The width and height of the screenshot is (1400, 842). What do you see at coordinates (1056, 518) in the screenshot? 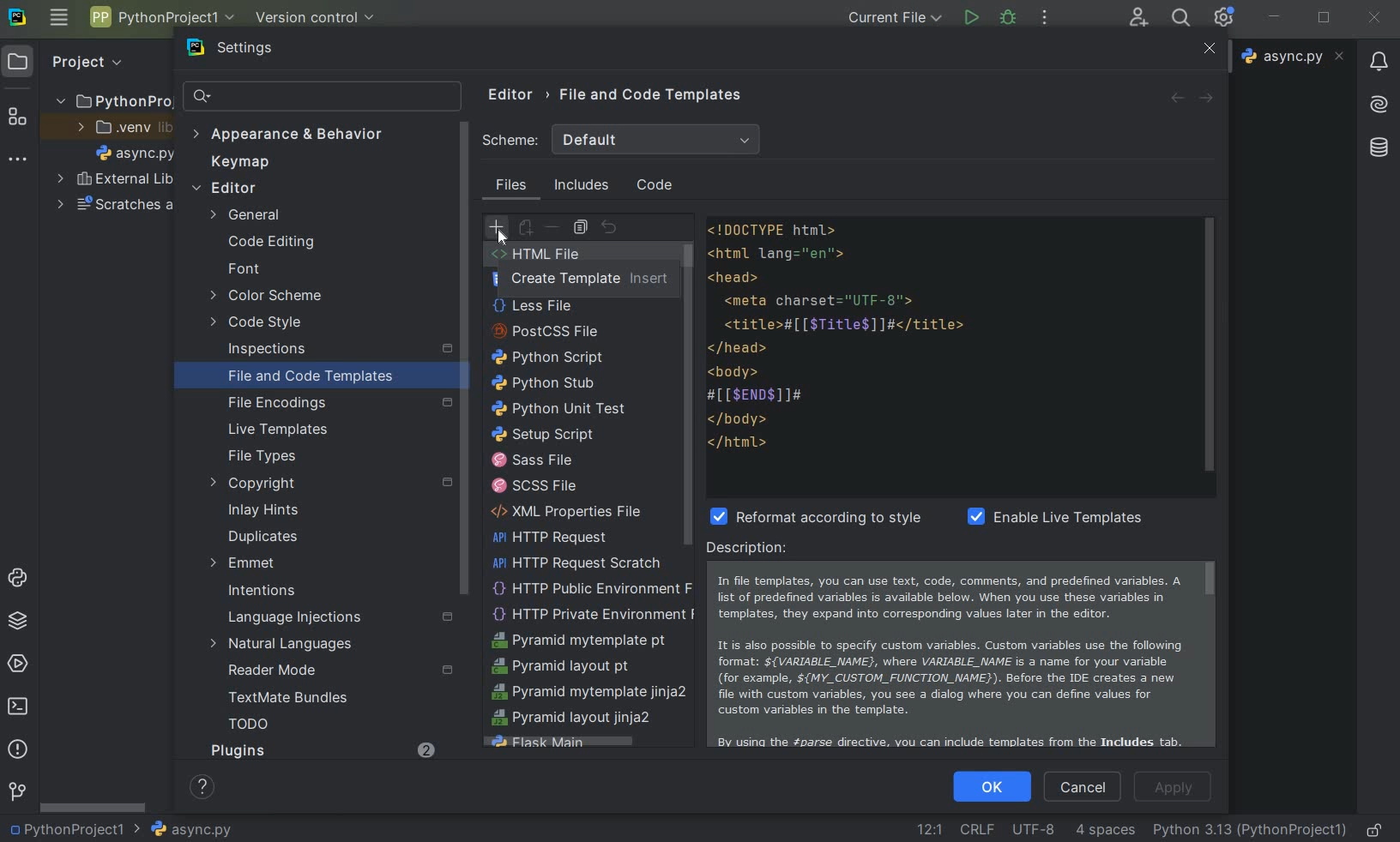
I see `enable live template` at bounding box center [1056, 518].